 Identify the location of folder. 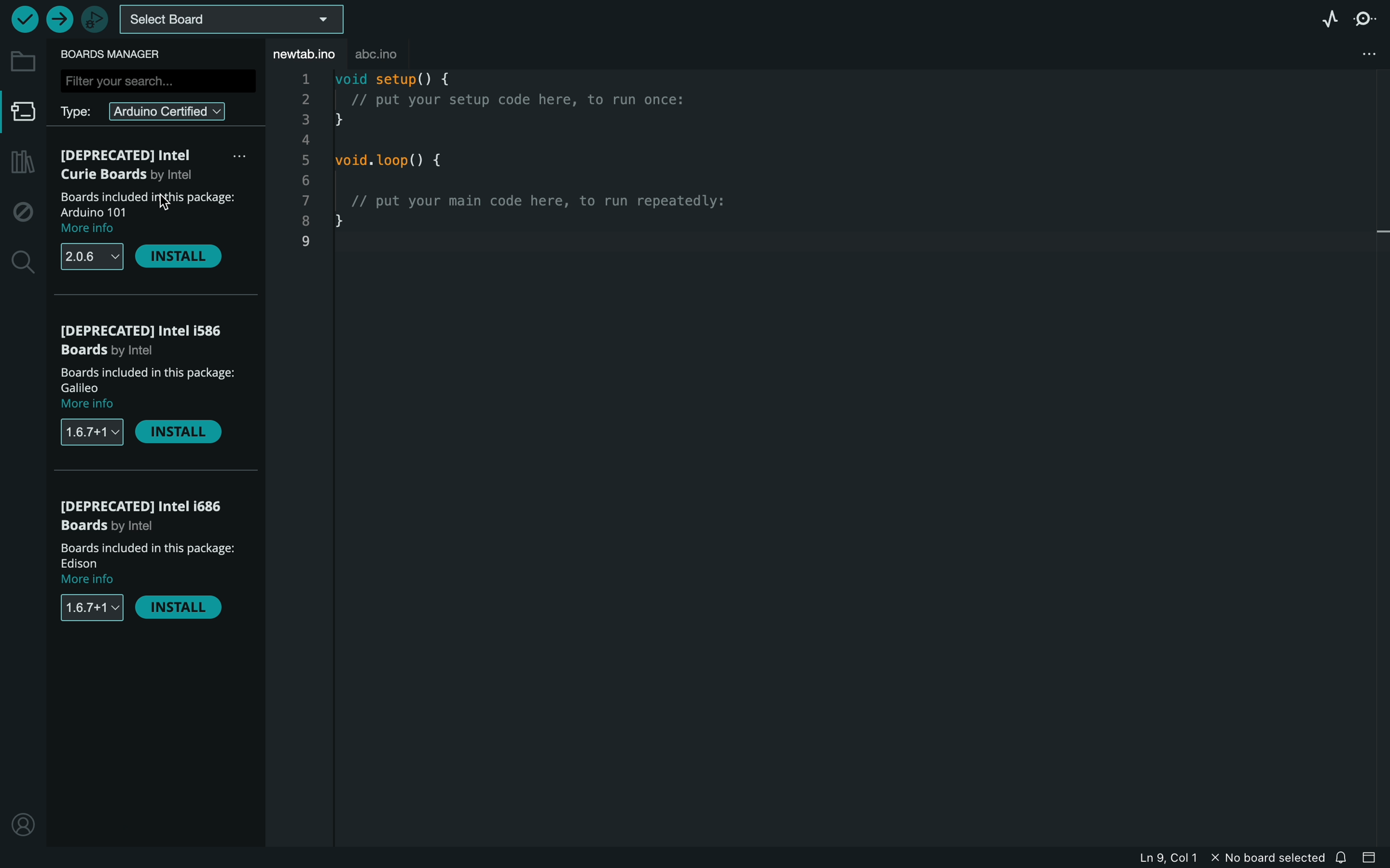
(21, 63).